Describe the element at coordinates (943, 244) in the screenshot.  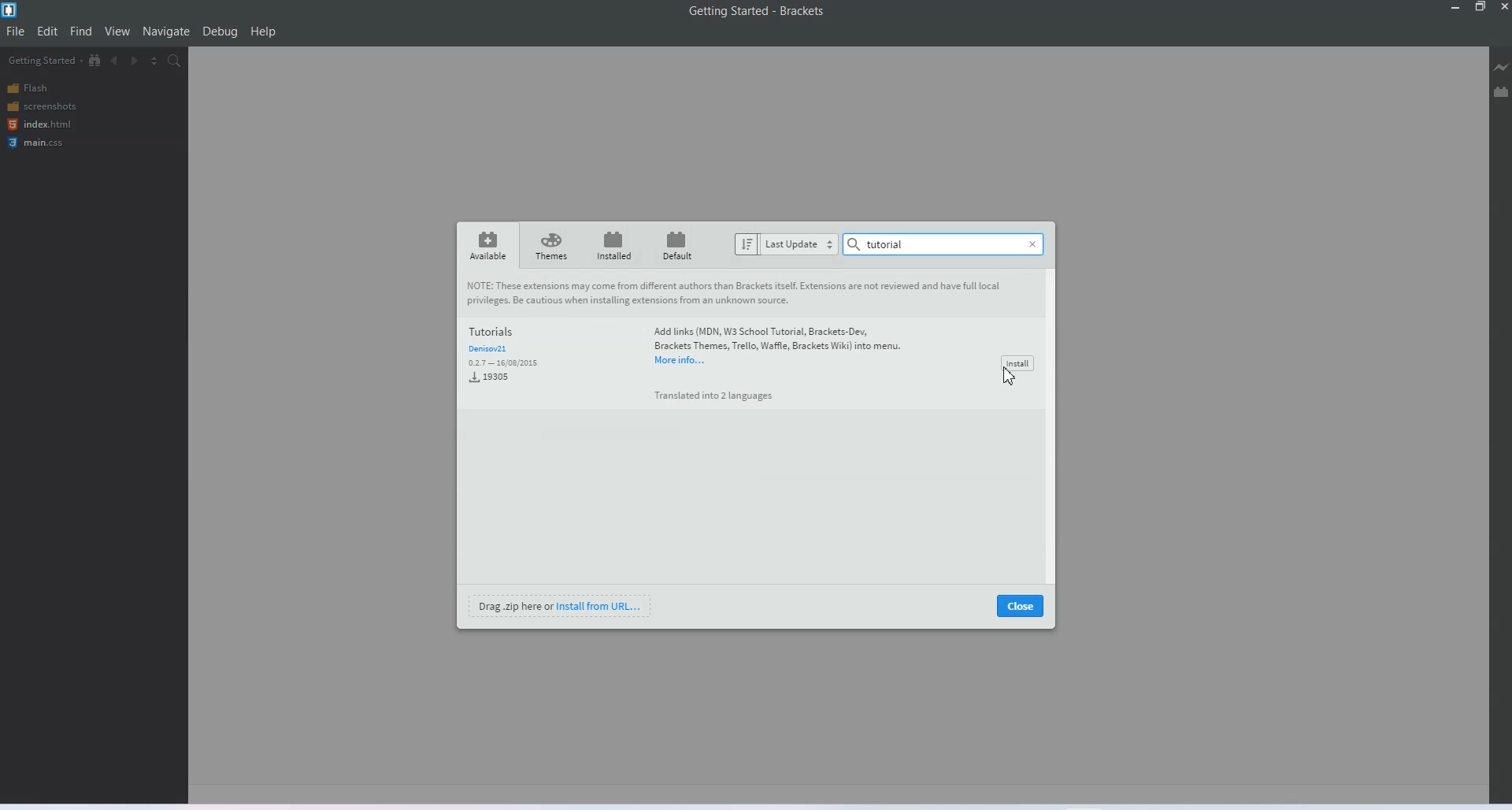
I see `Search Bar` at that location.